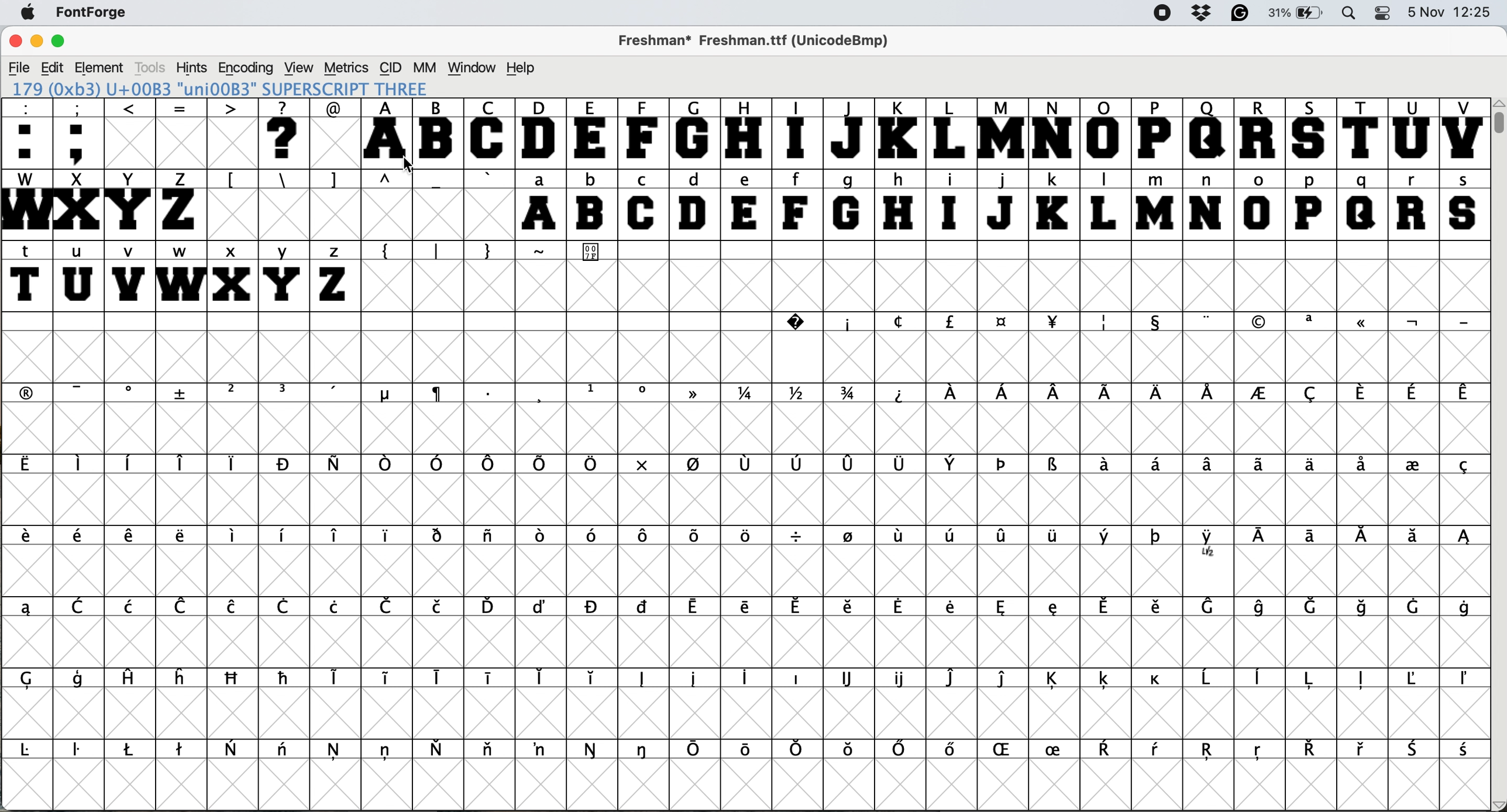 The width and height of the screenshot is (1507, 812). What do you see at coordinates (1156, 679) in the screenshot?
I see `symbol` at bounding box center [1156, 679].